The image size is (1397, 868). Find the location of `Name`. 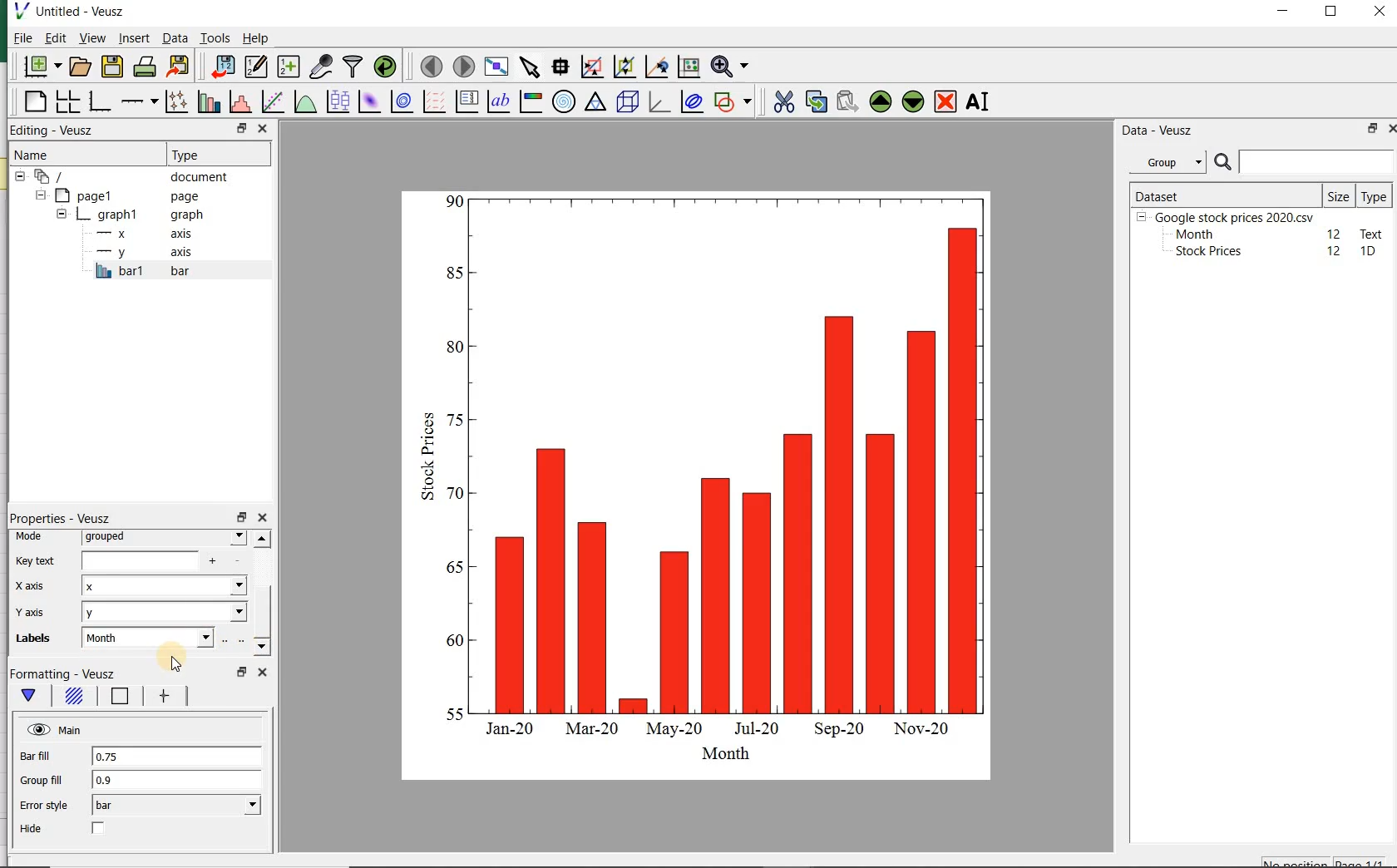

Name is located at coordinates (42, 155).